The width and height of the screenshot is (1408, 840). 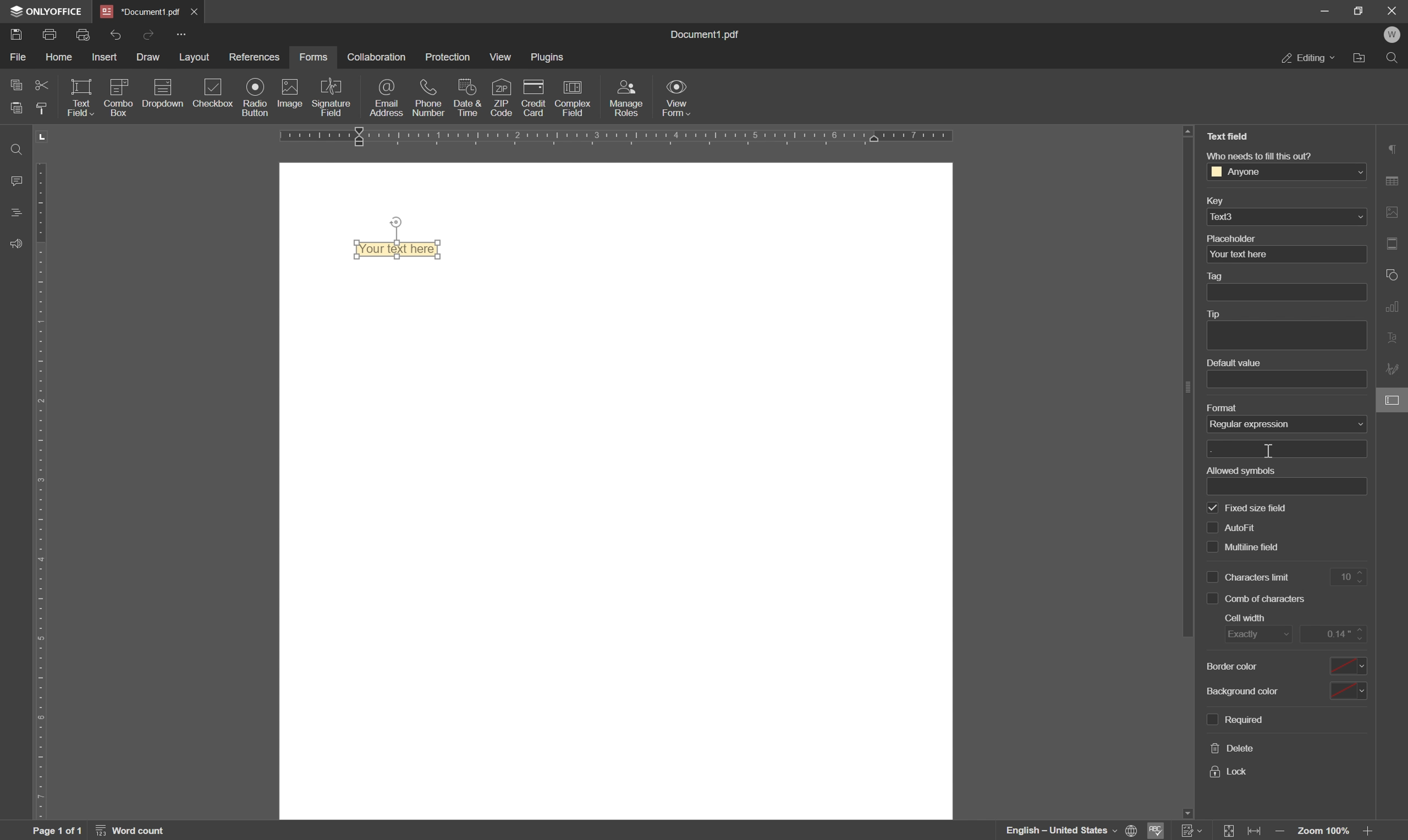 I want to click on email address, so click(x=389, y=99).